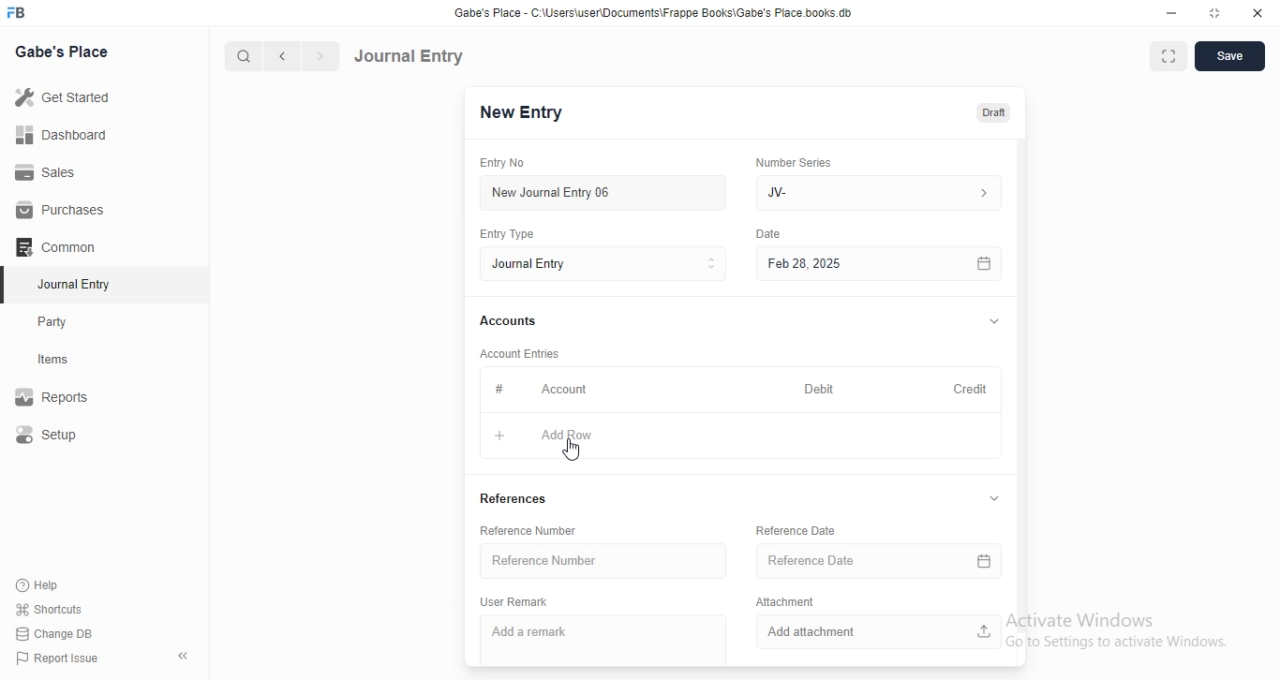 The height and width of the screenshot is (680, 1280). I want to click on close, so click(1258, 14).